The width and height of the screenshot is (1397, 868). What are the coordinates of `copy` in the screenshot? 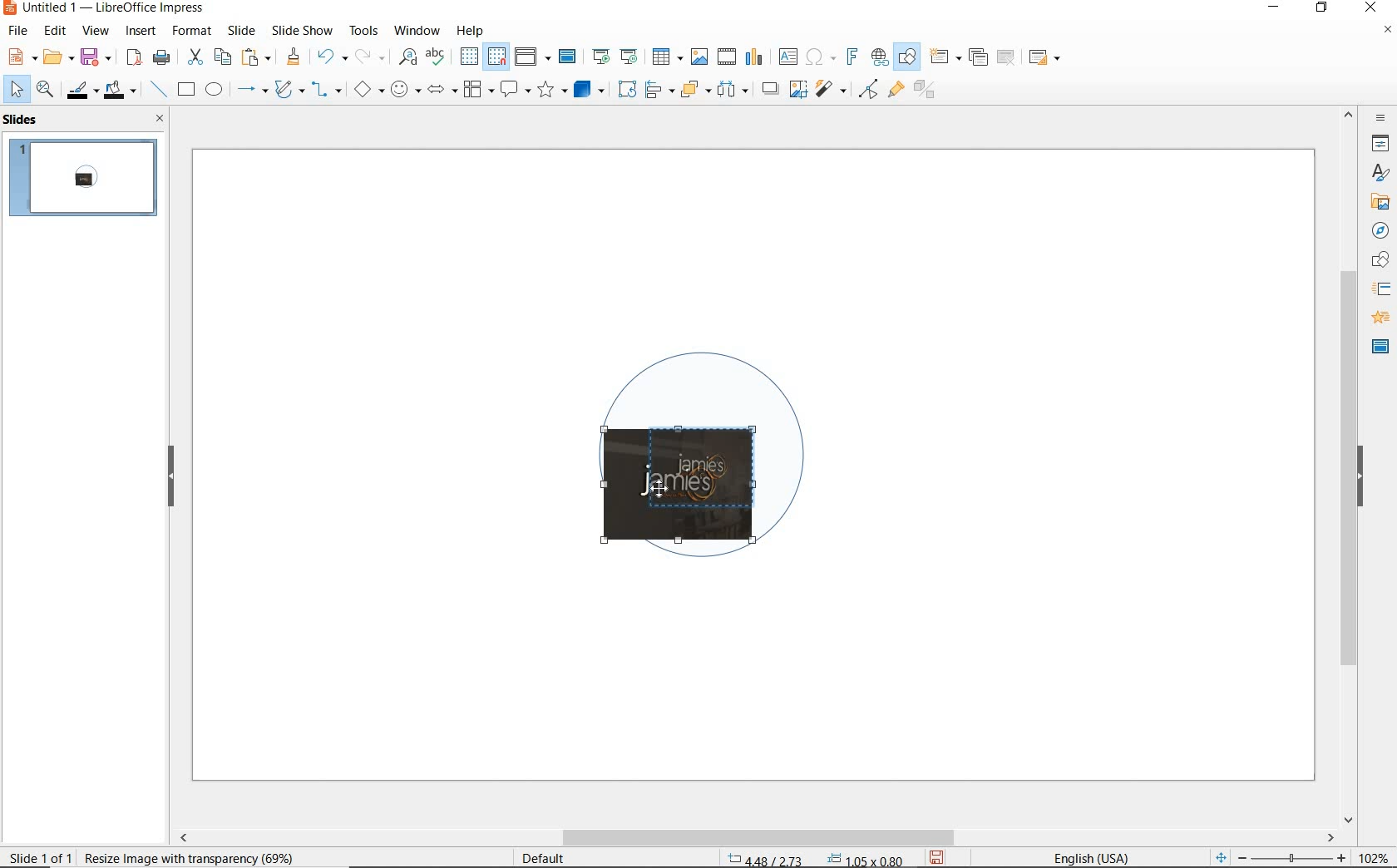 It's located at (222, 57).